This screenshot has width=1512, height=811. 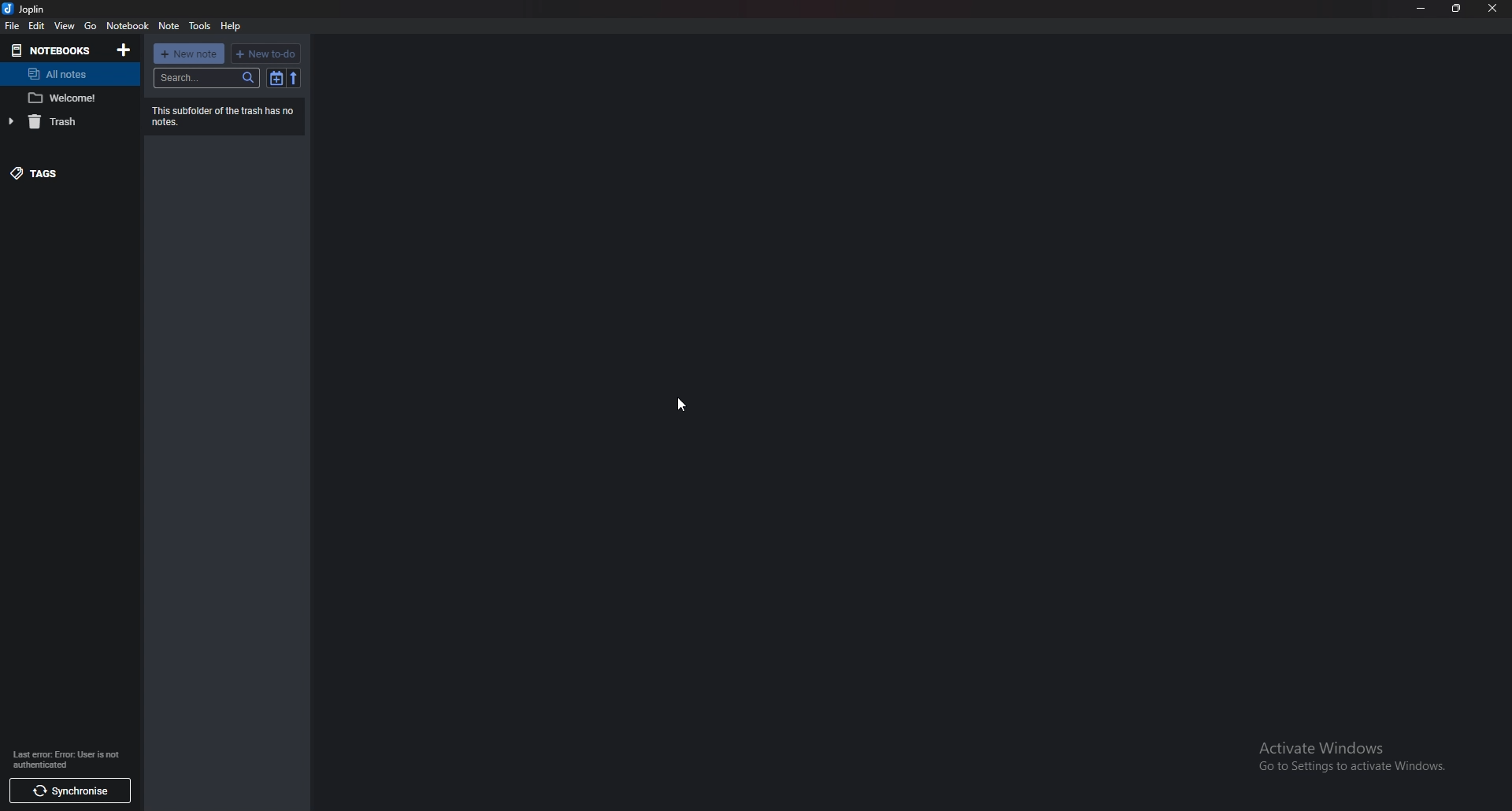 What do you see at coordinates (124, 50) in the screenshot?
I see `Add notebooks` at bounding box center [124, 50].